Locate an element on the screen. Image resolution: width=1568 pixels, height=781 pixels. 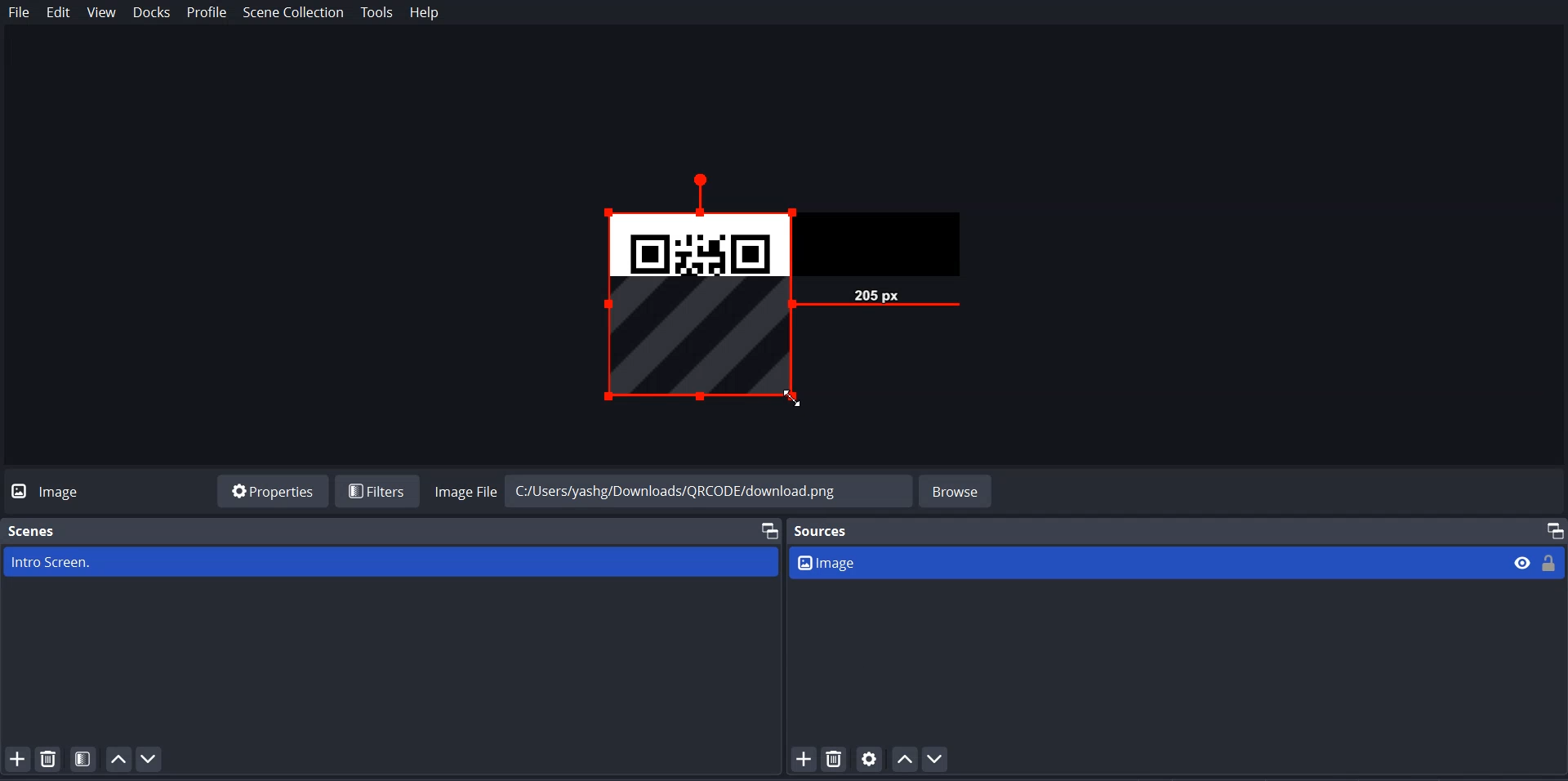
Logo is located at coordinates (51, 490).